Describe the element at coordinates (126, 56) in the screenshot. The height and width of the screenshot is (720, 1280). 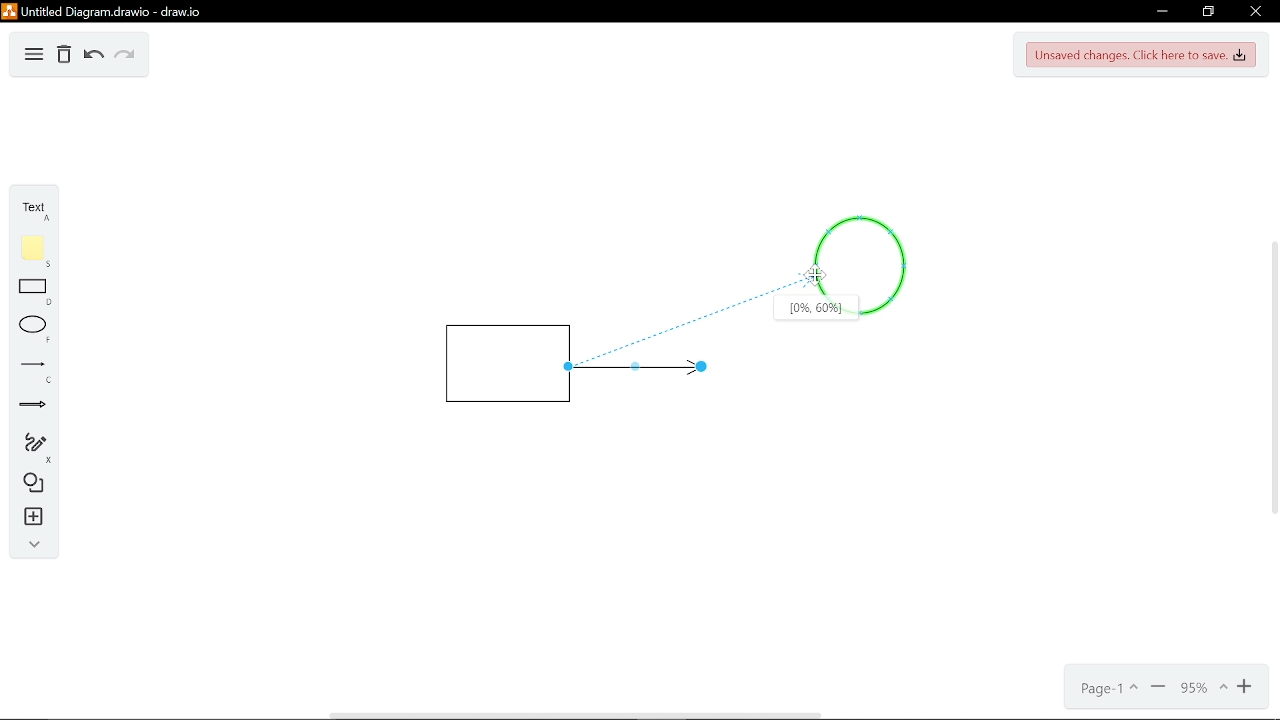
I see `Redo` at that location.